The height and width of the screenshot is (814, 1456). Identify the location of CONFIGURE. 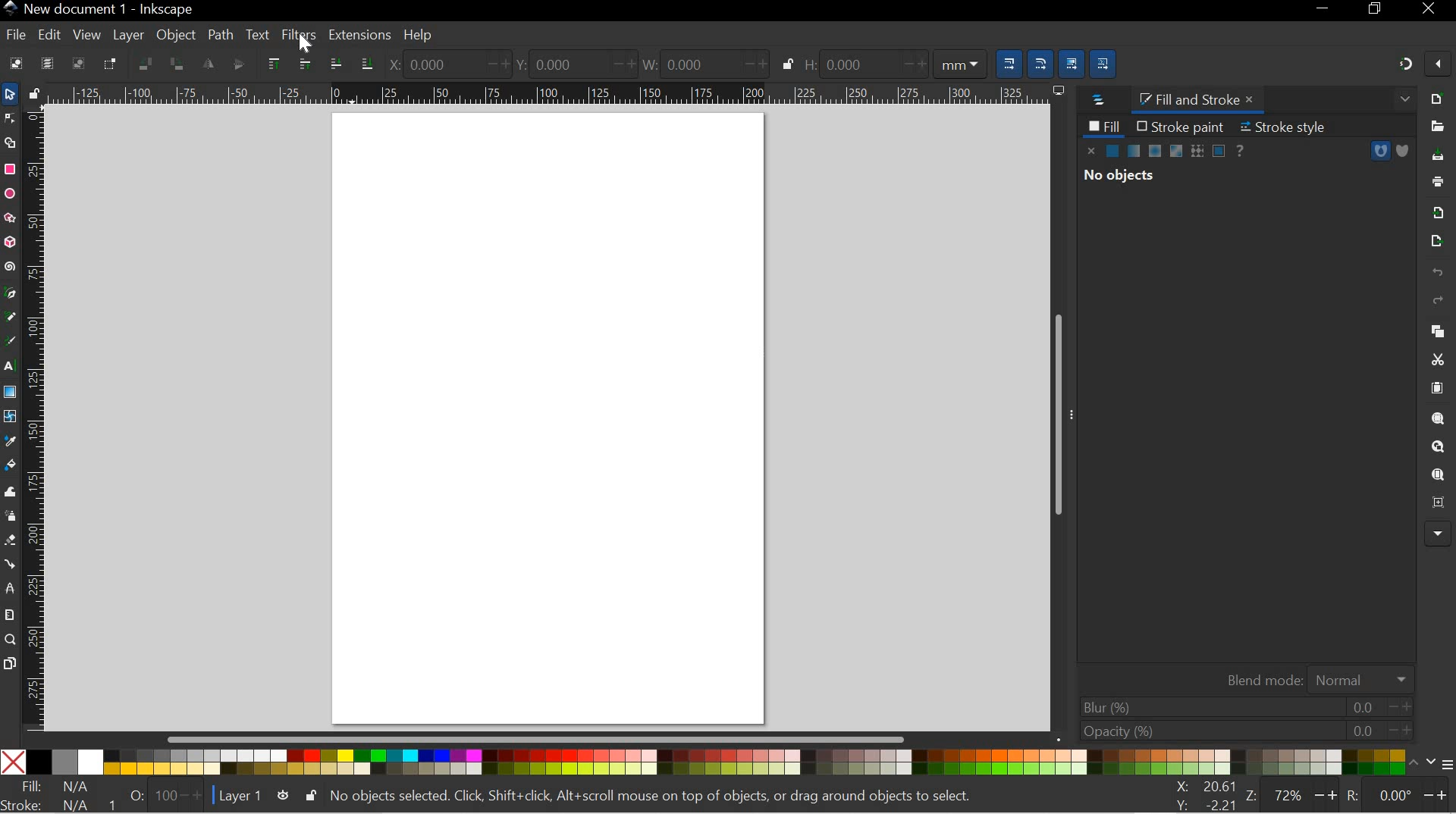
(1439, 766).